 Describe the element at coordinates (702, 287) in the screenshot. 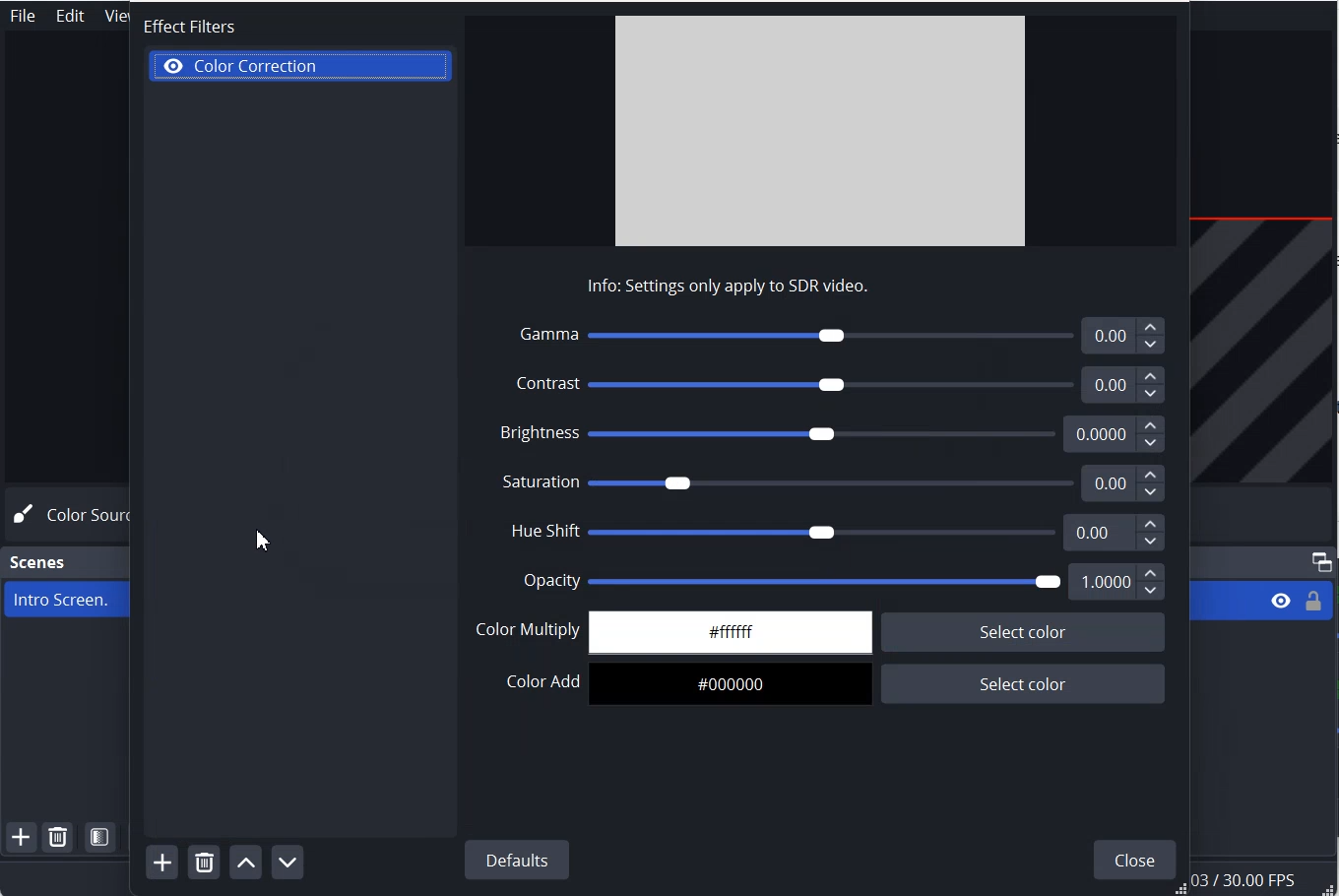

I see `Text` at that location.